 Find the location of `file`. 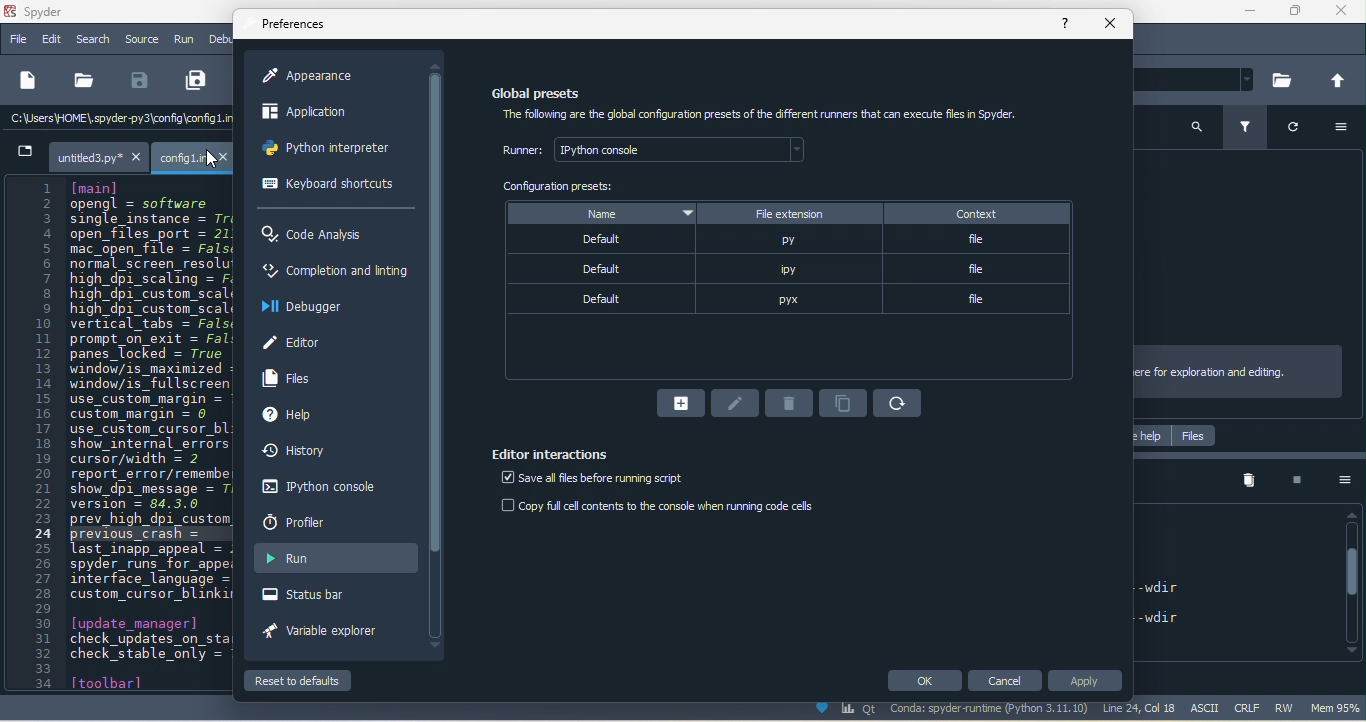

file is located at coordinates (18, 40).